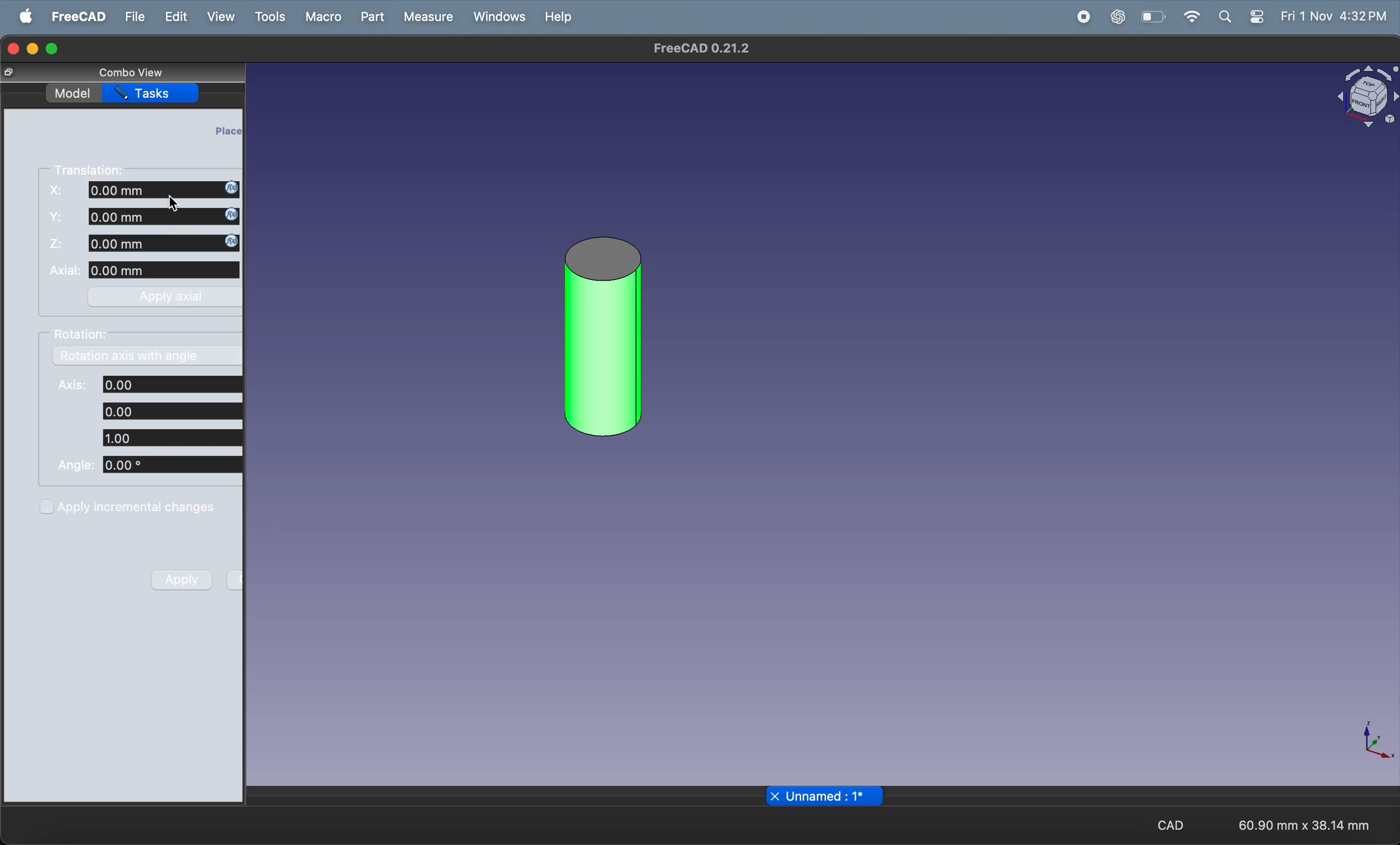 The width and height of the screenshot is (1400, 845). I want to click on chat gpt, so click(1115, 18).